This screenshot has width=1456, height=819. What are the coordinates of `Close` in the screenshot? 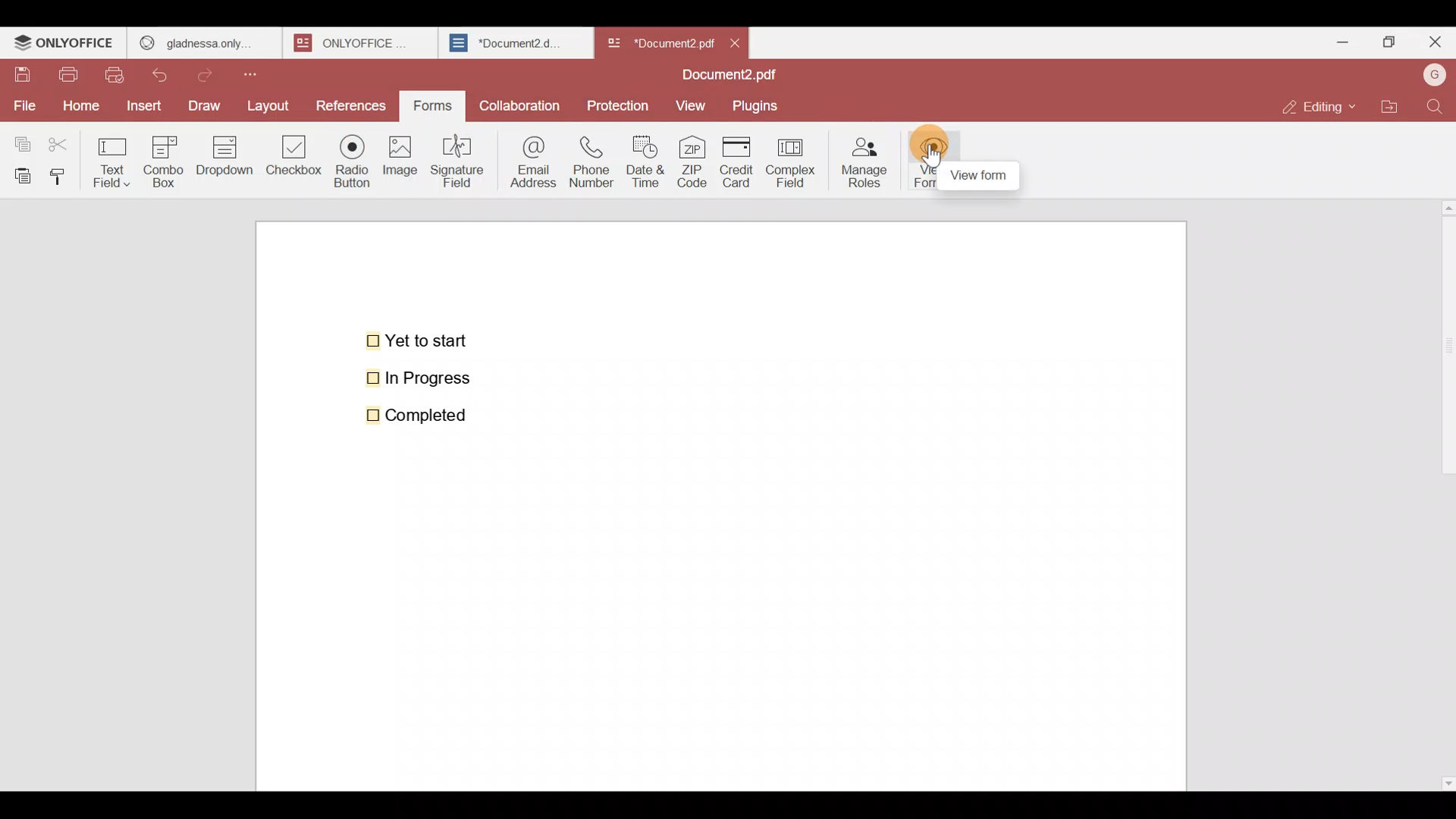 It's located at (742, 42).